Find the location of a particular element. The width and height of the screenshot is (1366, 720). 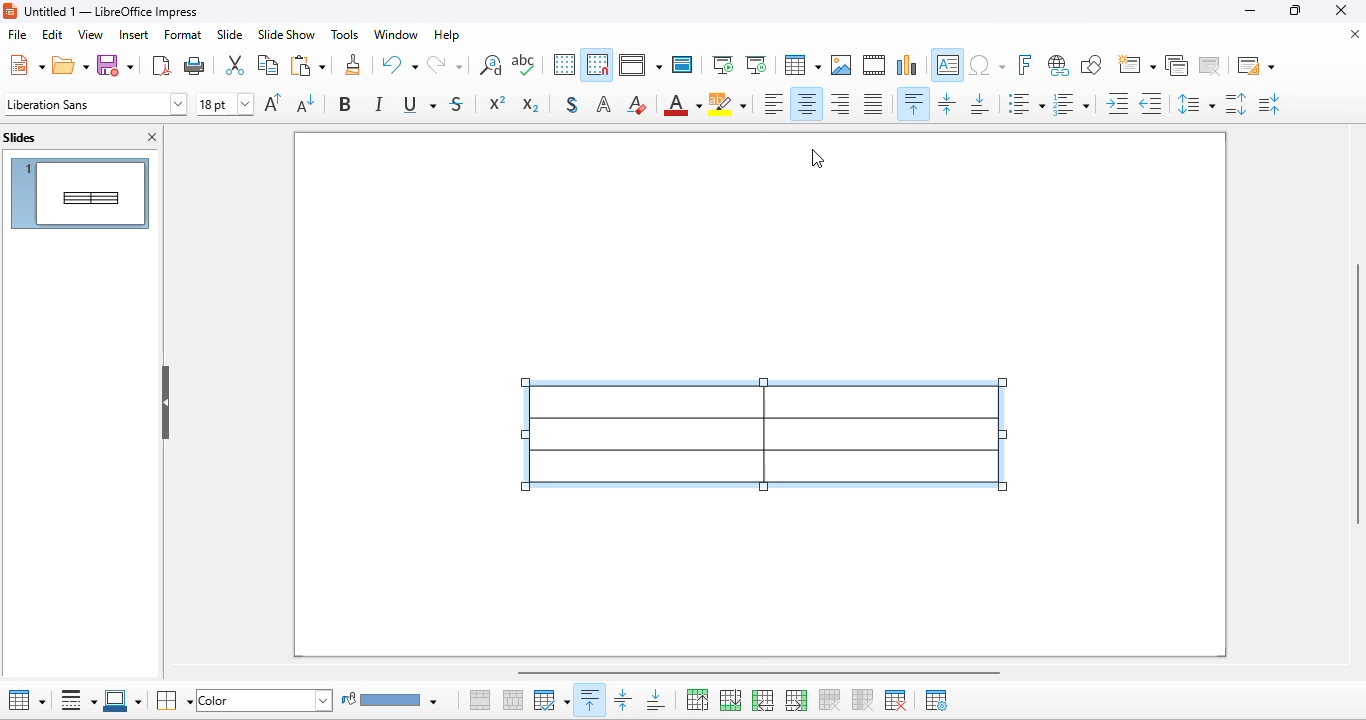

center vertically is located at coordinates (621, 699).